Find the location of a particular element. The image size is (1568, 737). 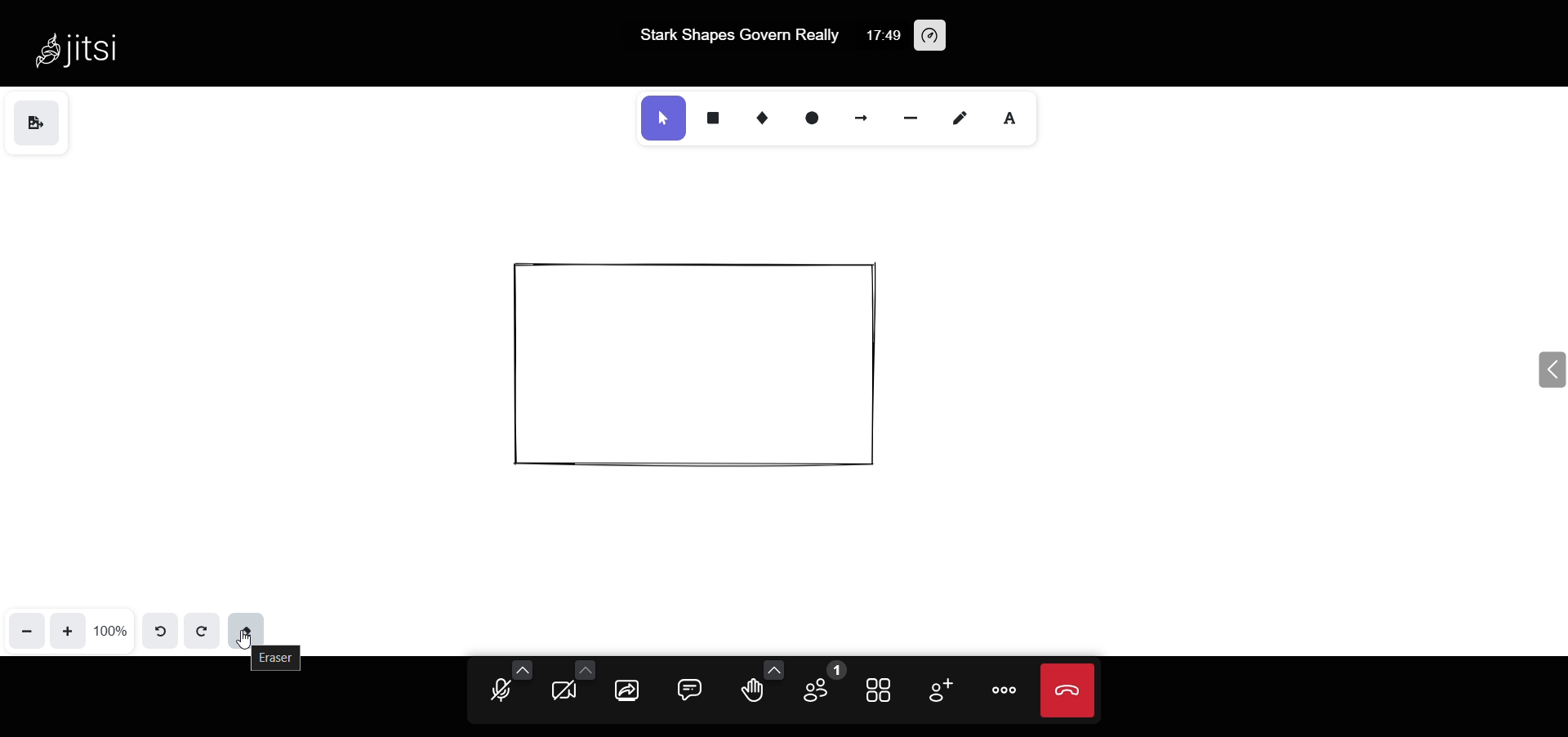

17:49 is located at coordinates (880, 34).